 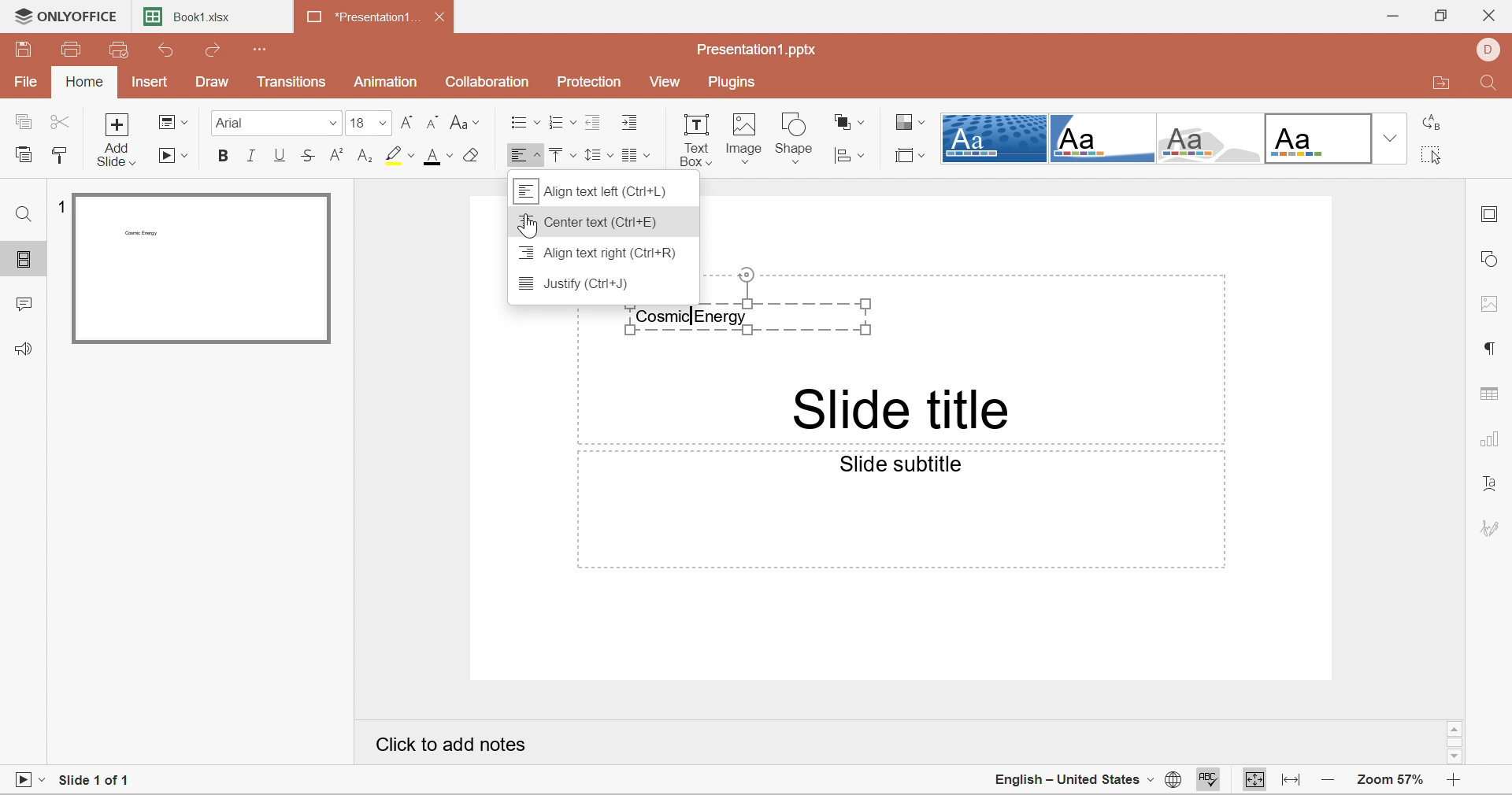 What do you see at coordinates (29, 778) in the screenshot?
I see `Start slideshow` at bounding box center [29, 778].